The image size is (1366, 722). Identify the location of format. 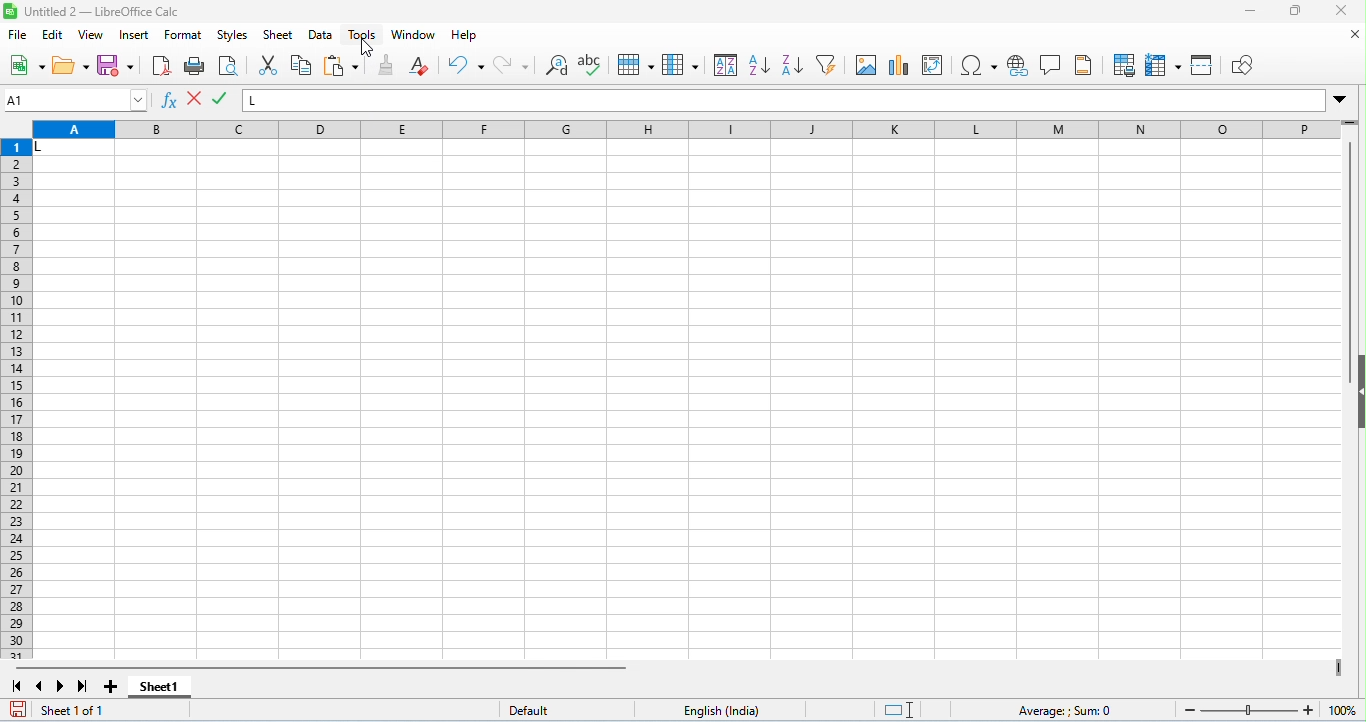
(185, 37).